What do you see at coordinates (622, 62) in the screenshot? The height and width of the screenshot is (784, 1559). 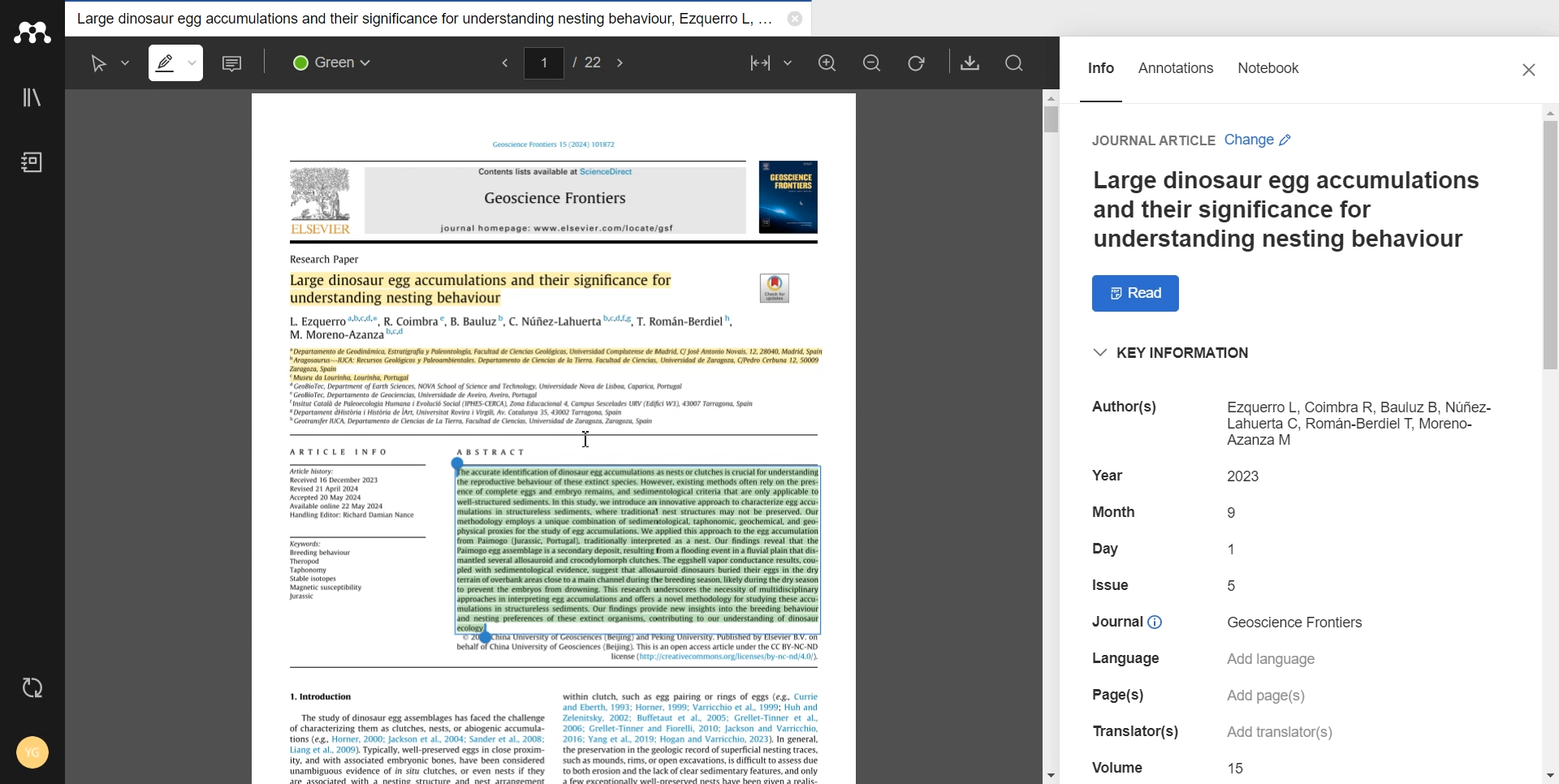 I see `next page` at bounding box center [622, 62].